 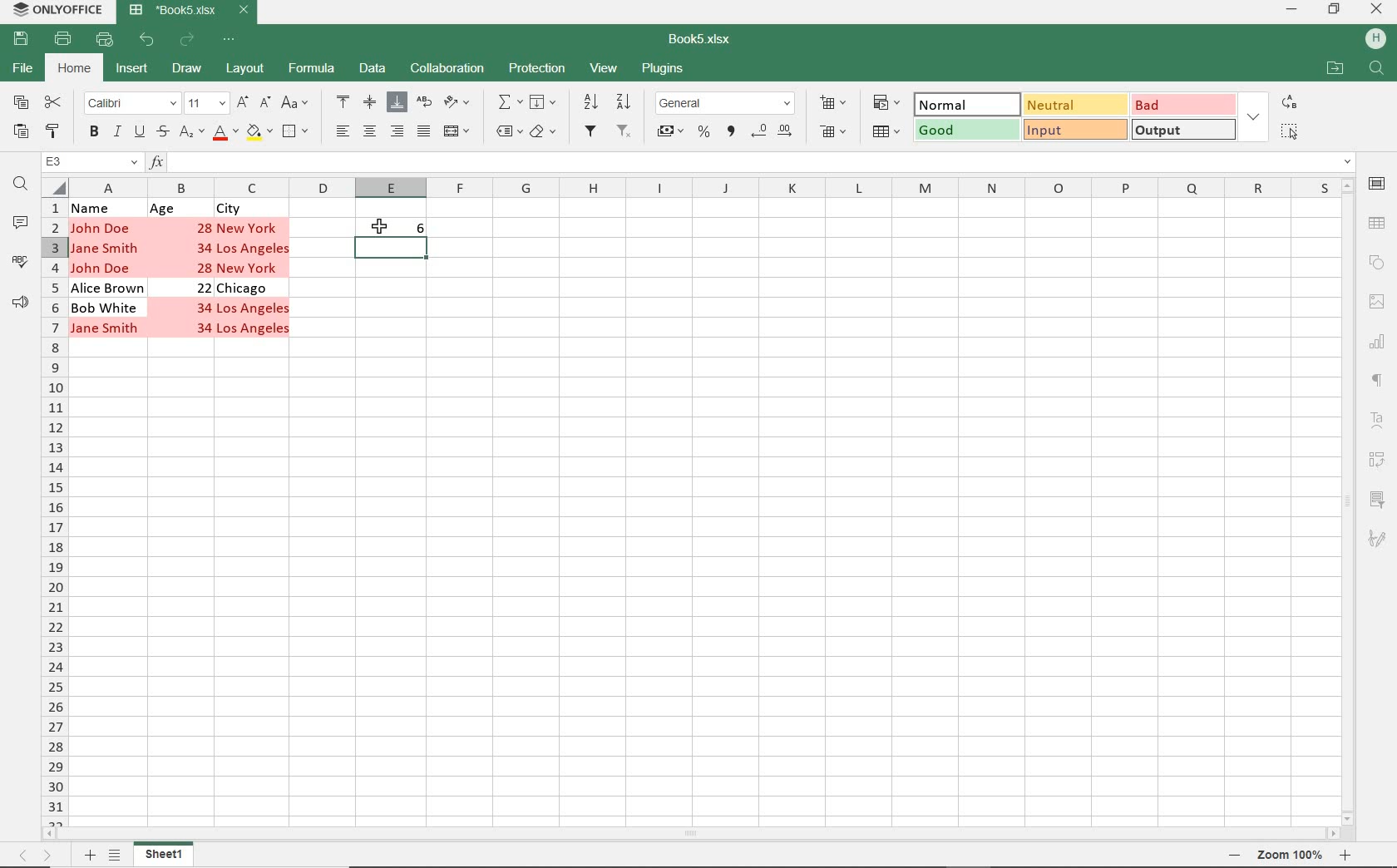 I want to click on CUSTOMIZE QUICK ACCESS TOOLBAR, so click(x=230, y=40).